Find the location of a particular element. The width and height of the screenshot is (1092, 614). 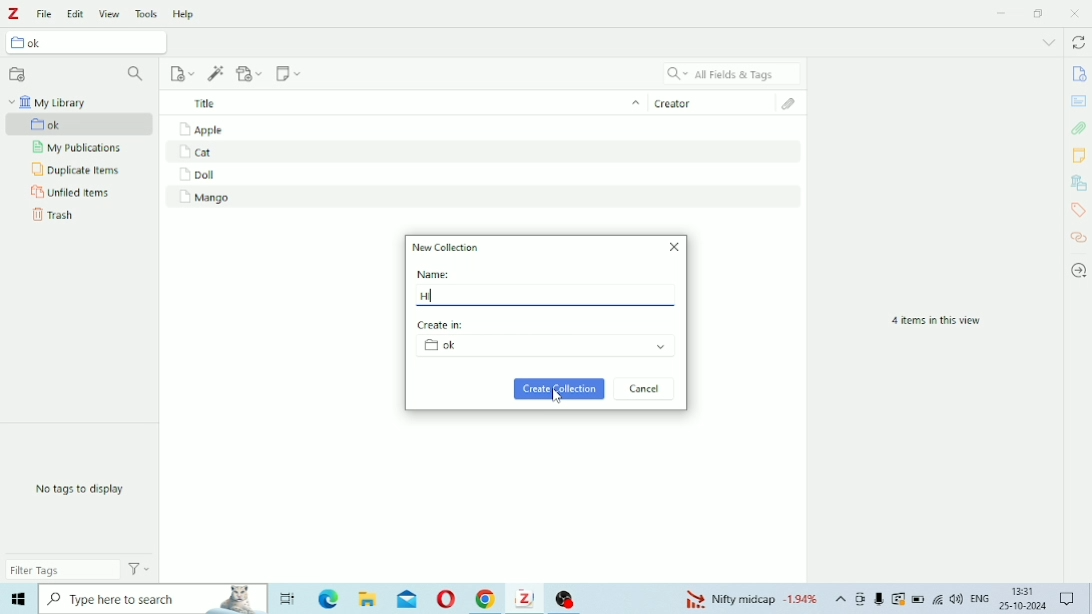

Notifications is located at coordinates (1067, 596).